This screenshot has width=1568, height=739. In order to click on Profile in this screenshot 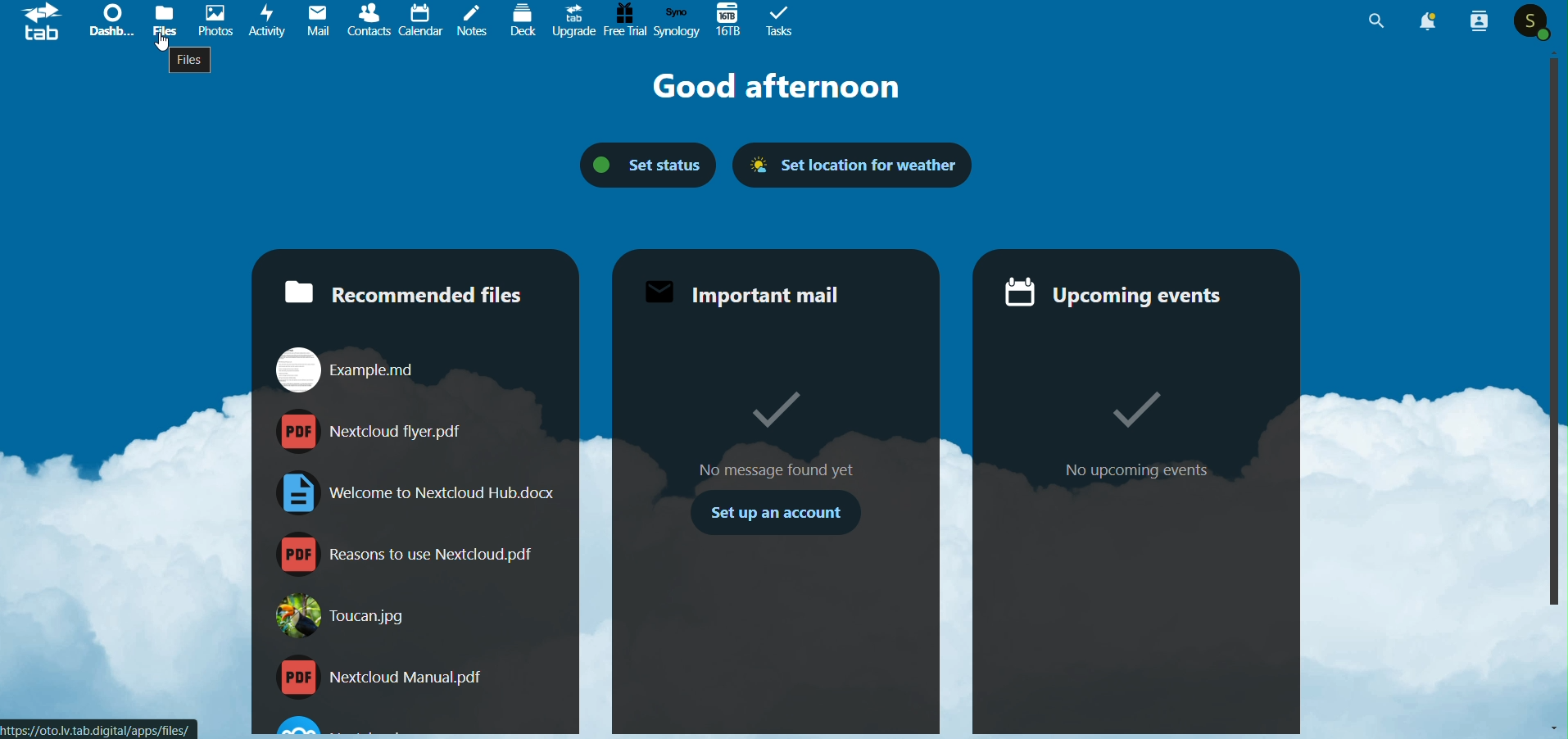, I will do `click(1537, 22)`.